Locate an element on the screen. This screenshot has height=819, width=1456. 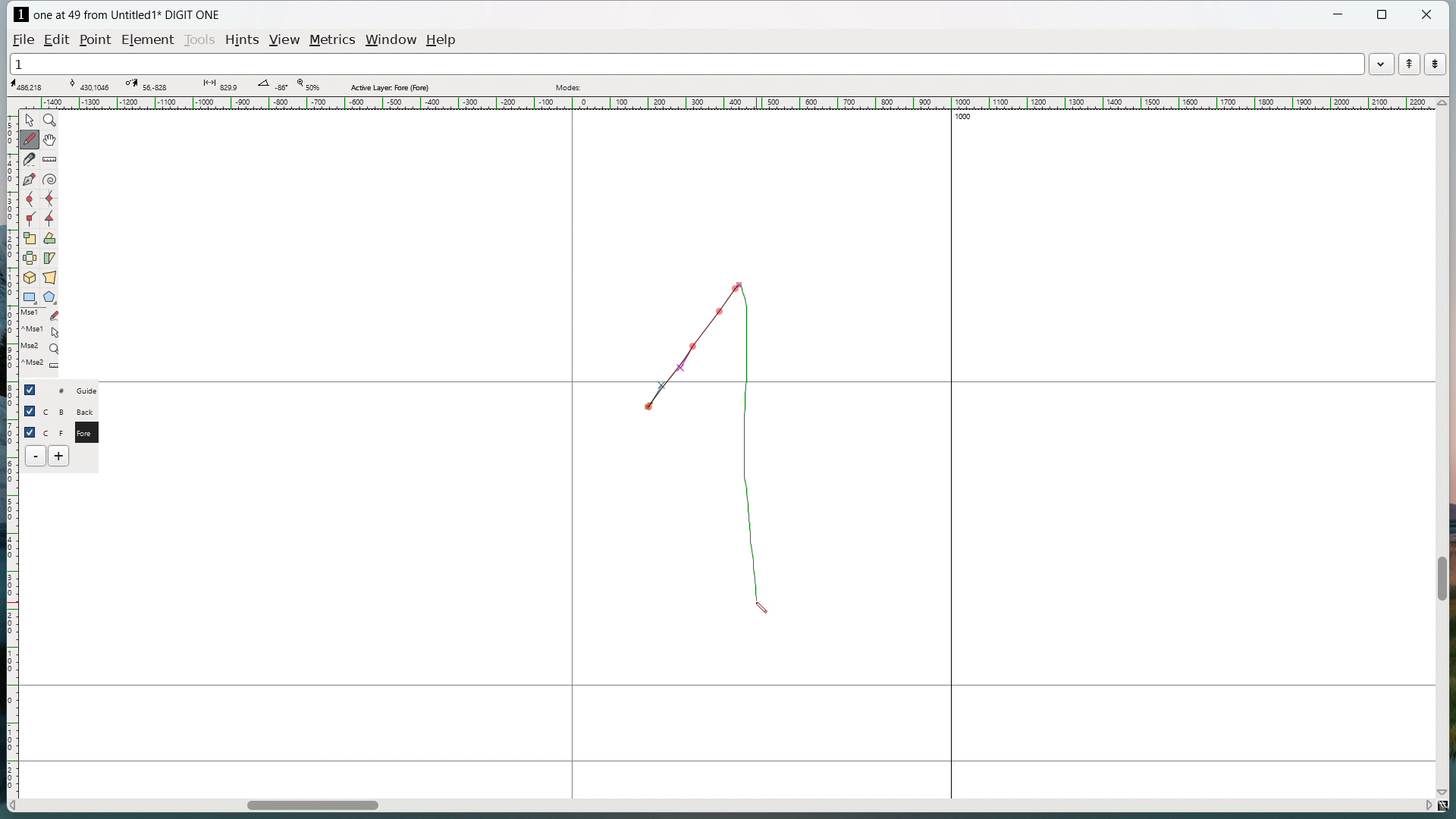
Active layer fore is located at coordinates (391, 86).